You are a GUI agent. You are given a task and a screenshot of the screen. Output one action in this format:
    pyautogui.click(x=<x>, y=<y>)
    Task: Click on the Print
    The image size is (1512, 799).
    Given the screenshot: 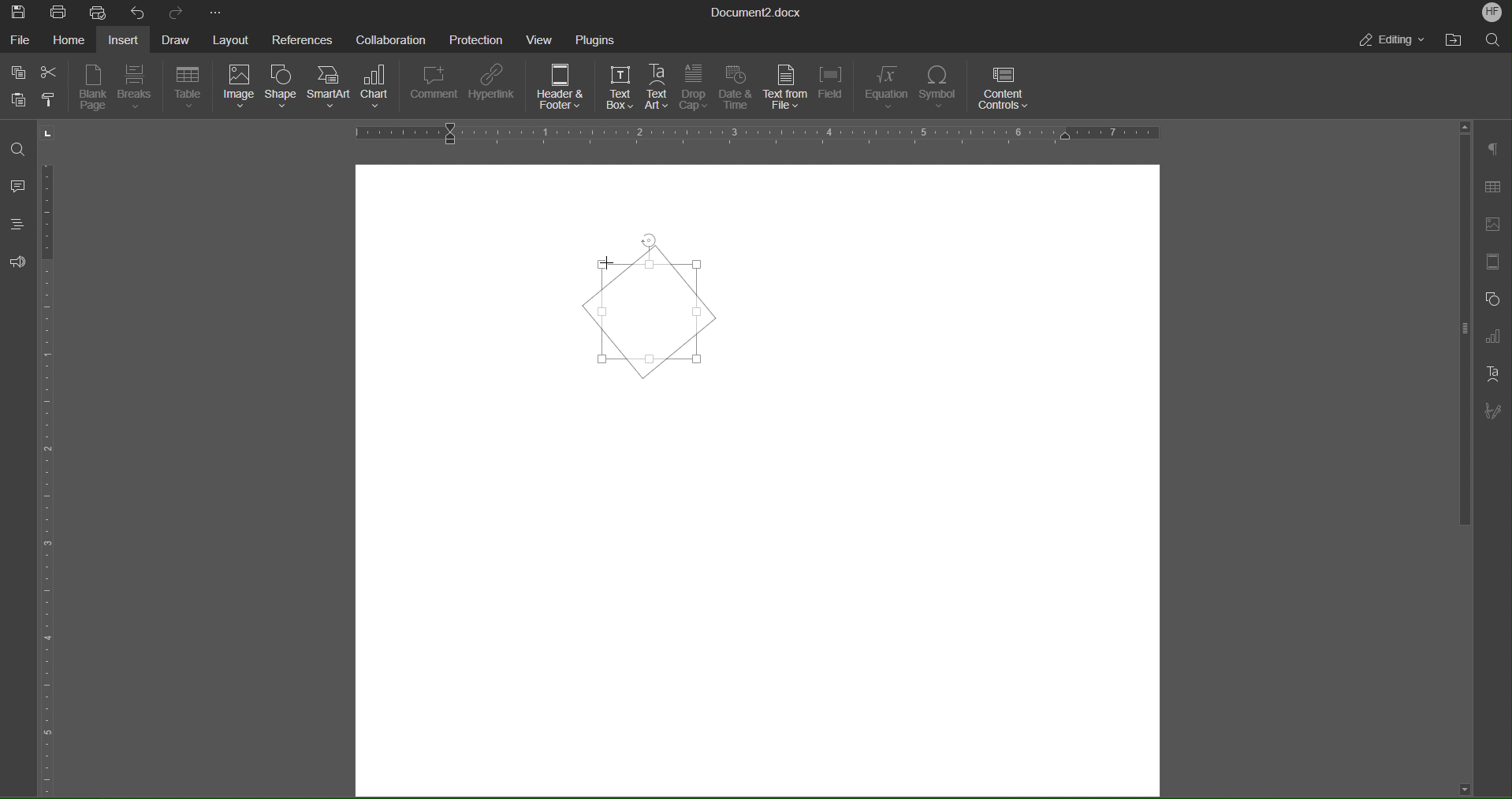 What is the action you would take?
    pyautogui.click(x=60, y=11)
    